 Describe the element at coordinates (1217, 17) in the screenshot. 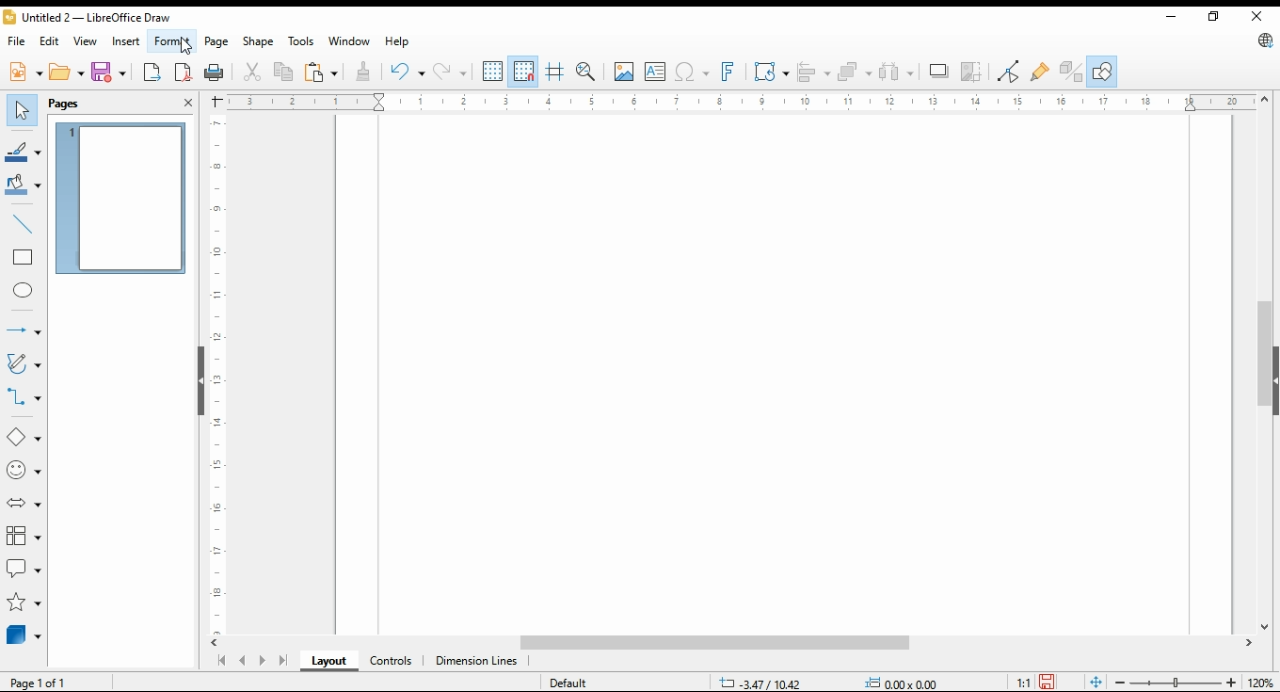

I see `restore` at that location.